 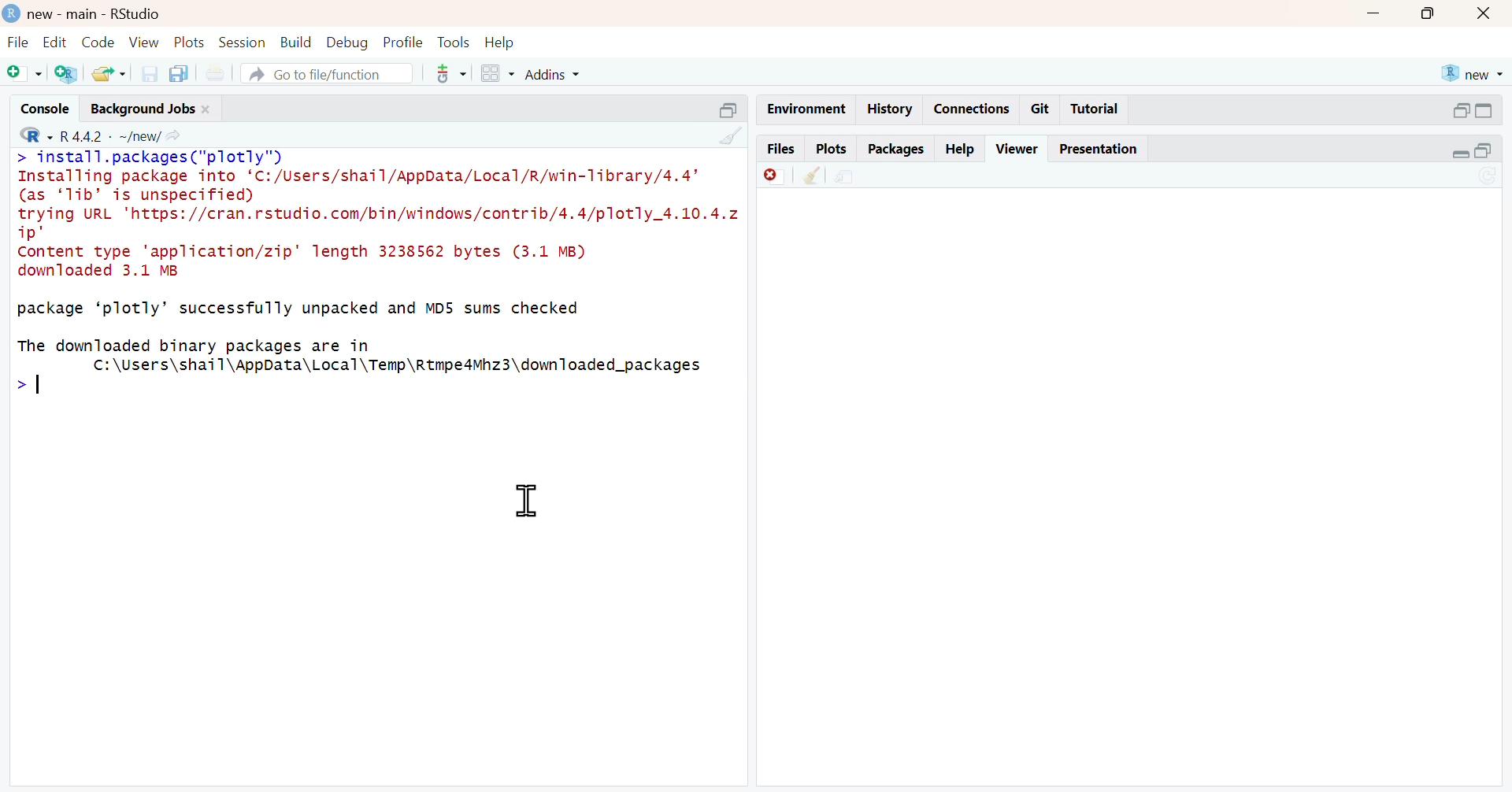 I want to click on The downloaded binary packages are in
C:\Users\shail\AppData\Local\Temp\Rtmpe4Mhz3\downloaded_packages, so click(x=370, y=355).